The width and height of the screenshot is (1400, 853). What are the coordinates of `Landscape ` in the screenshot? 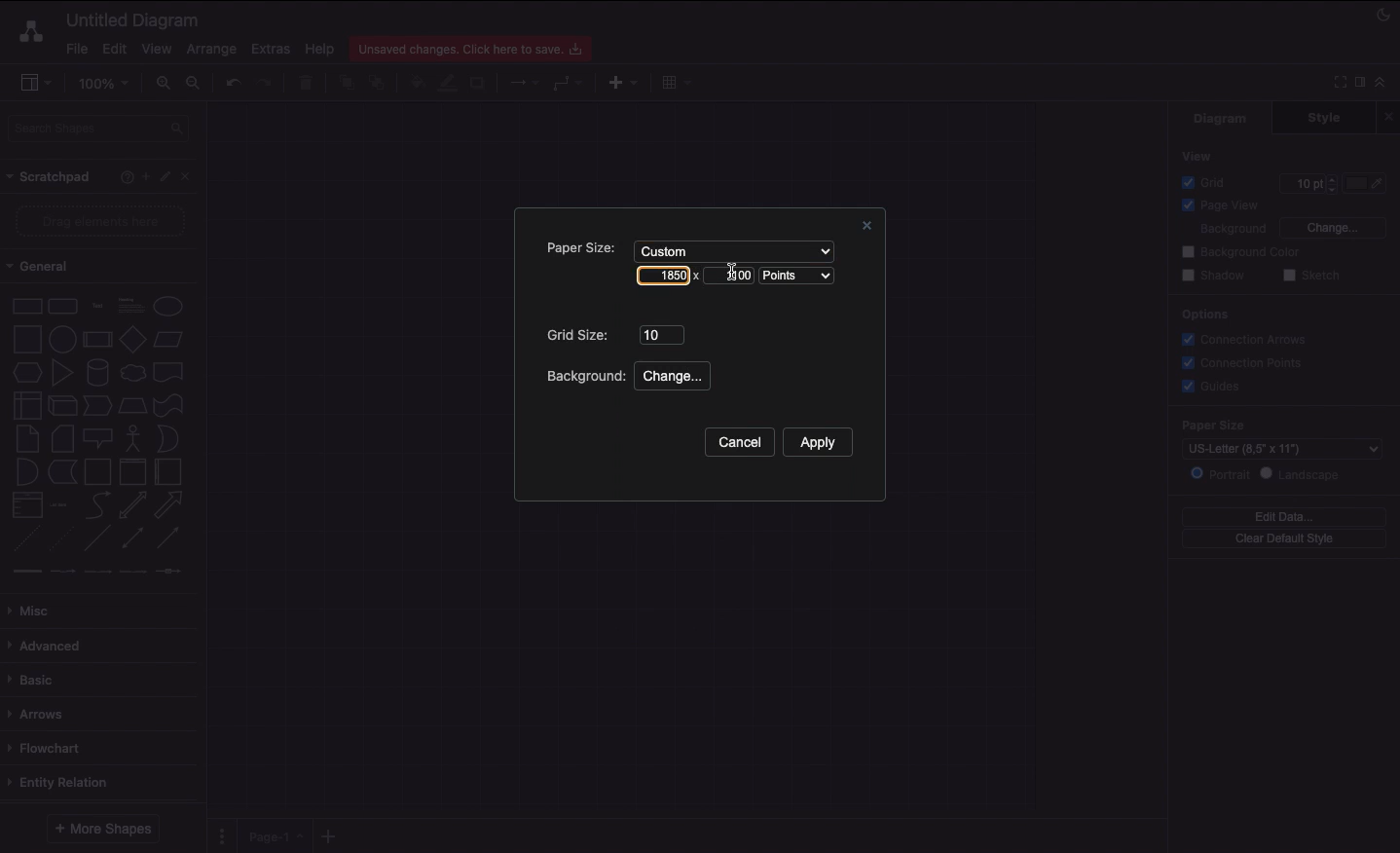 It's located at (1304, 474).